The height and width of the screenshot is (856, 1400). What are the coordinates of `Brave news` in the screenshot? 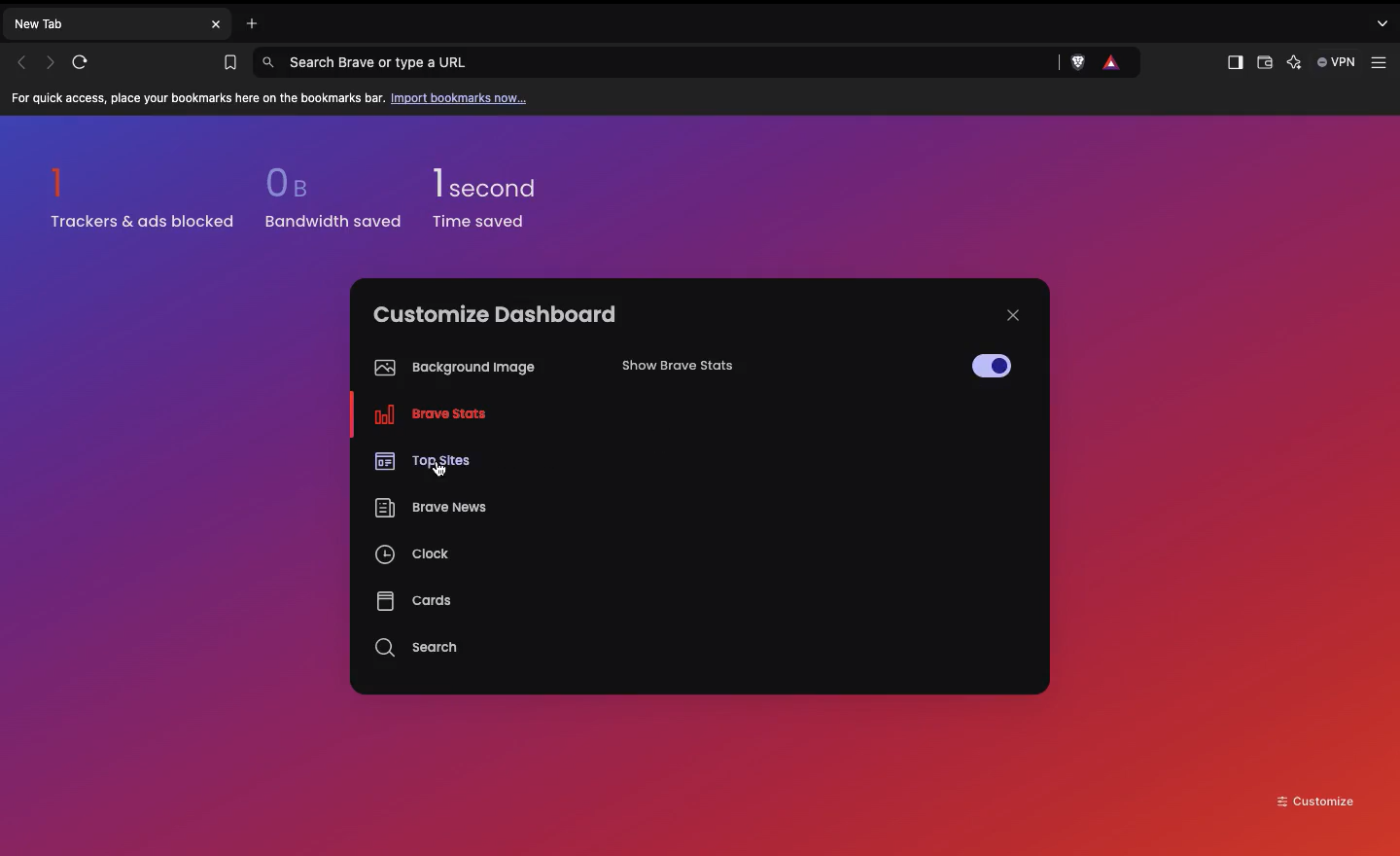 It's located at (429, 510).